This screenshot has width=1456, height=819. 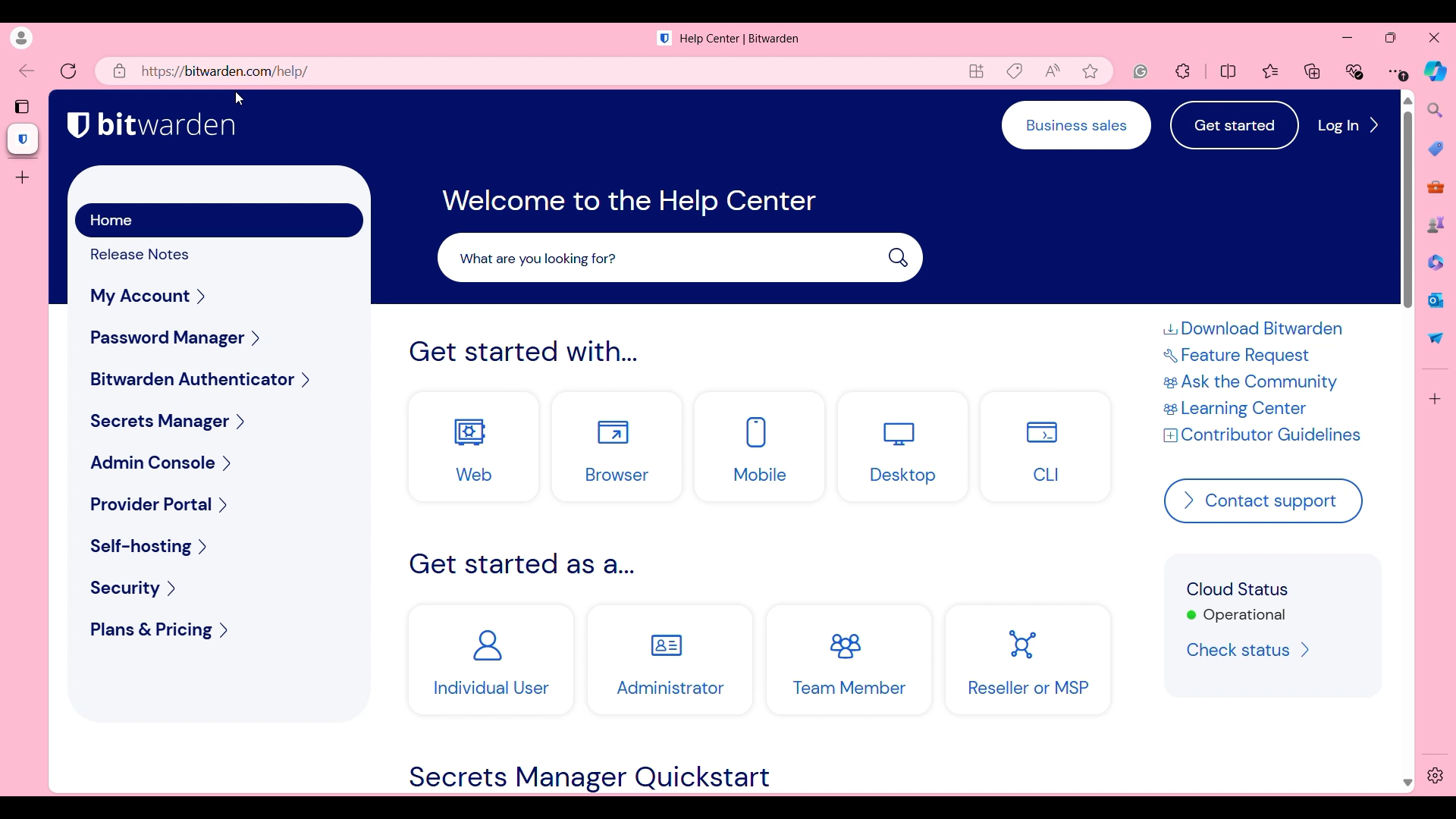 What do you see at coordinates (1348, 38) in the screenshot?
I see `Minimize` at bounding box center [1348, 38].